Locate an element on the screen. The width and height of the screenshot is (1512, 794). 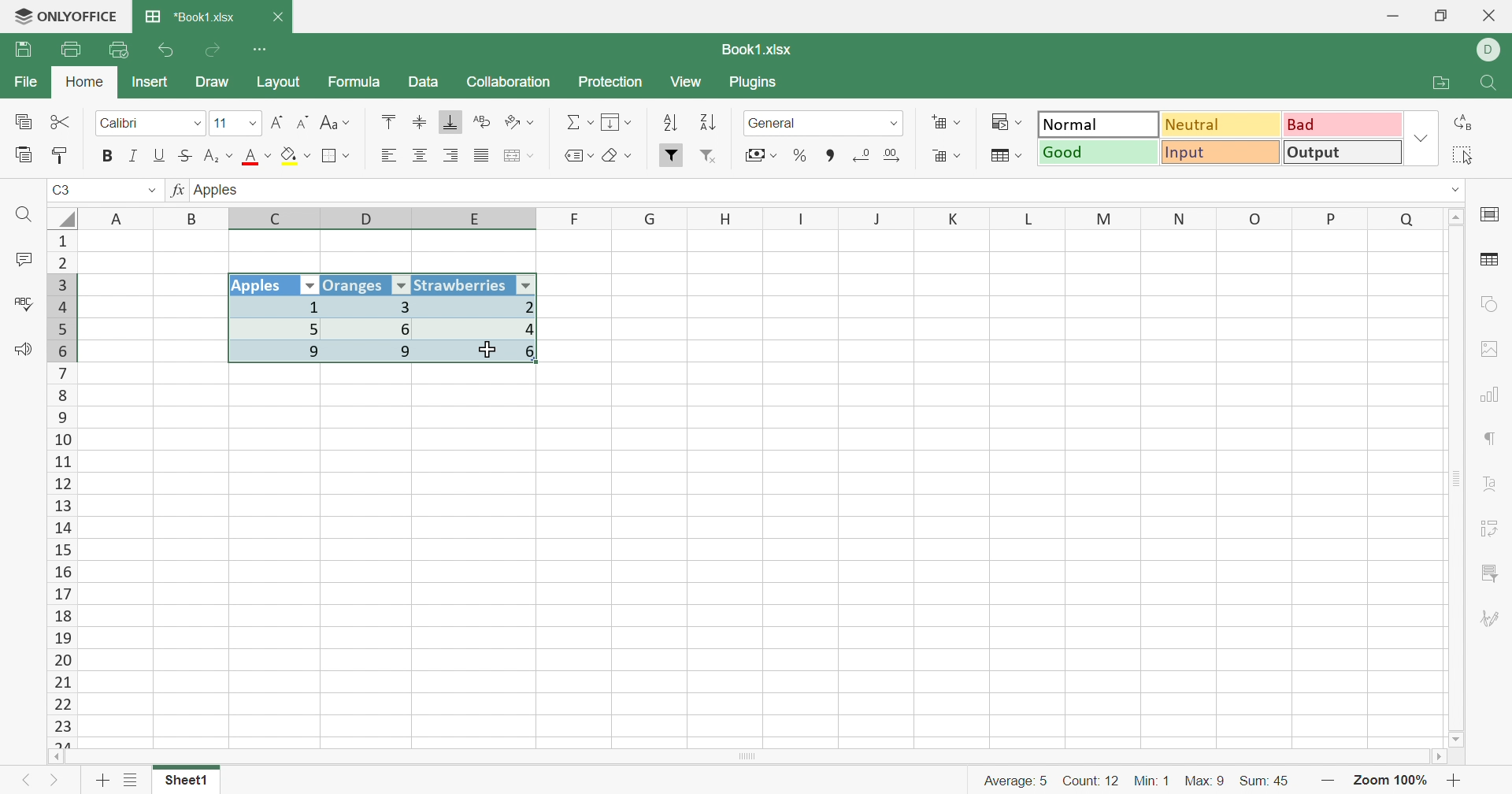
Scroll left is located at coordinates (57, 756).